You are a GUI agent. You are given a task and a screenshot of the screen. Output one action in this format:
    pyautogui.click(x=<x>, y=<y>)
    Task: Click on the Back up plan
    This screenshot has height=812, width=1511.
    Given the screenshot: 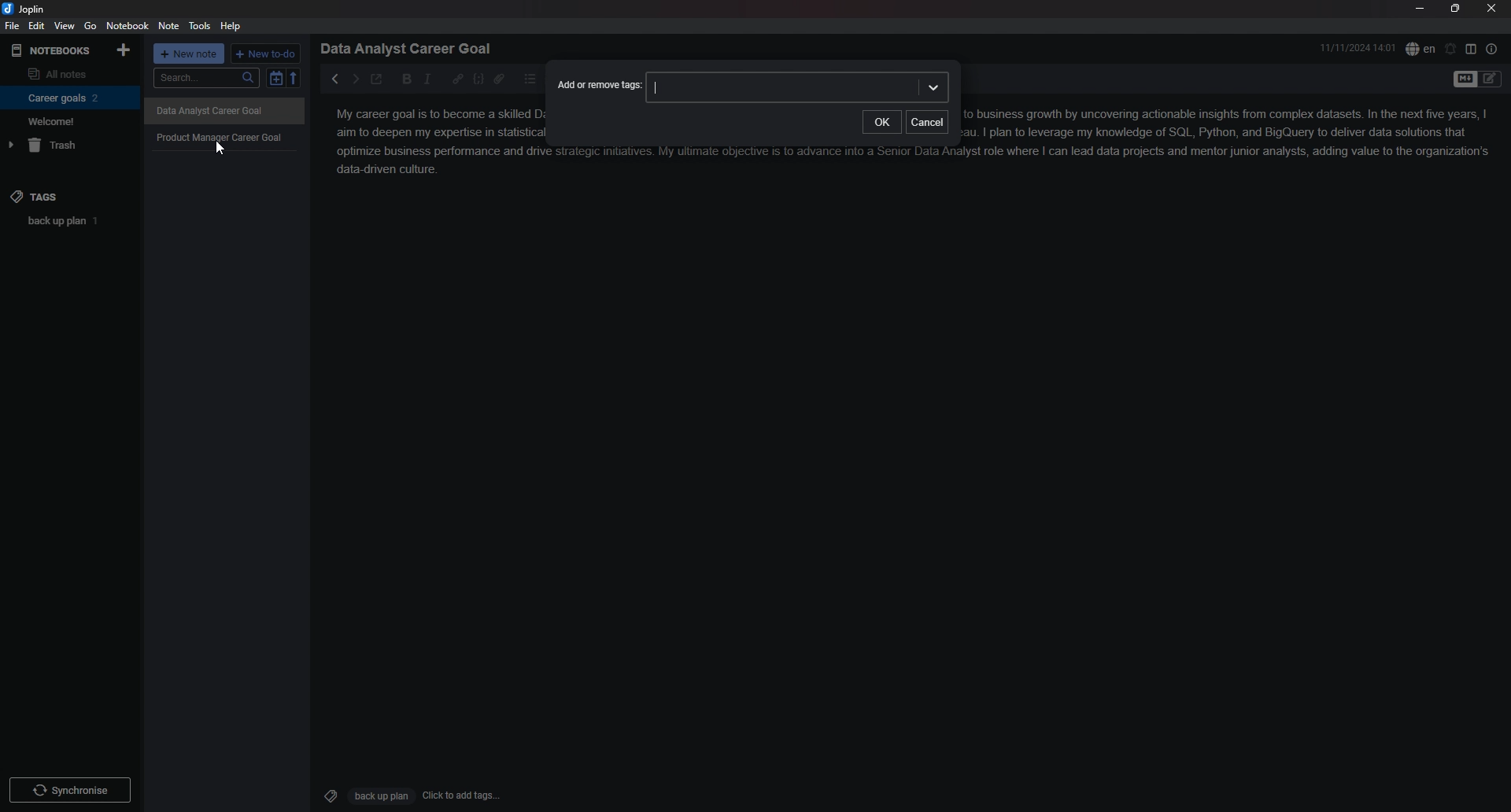 What is the action you would take?
    pyautogui.click(x=380, y=796)
    